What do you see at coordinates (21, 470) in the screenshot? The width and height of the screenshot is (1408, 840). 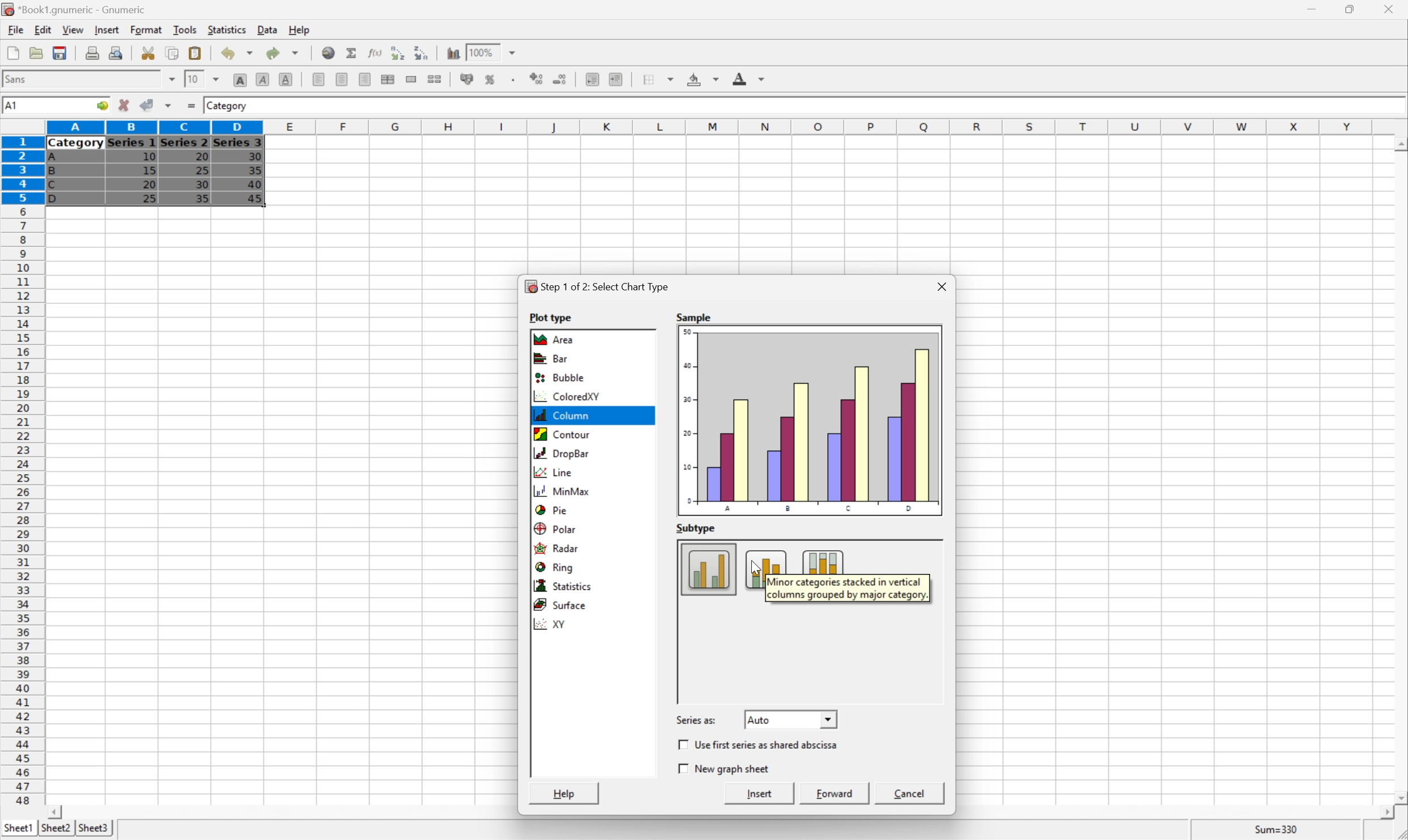 I see `Row numbers` at bounding box center [21, 470].